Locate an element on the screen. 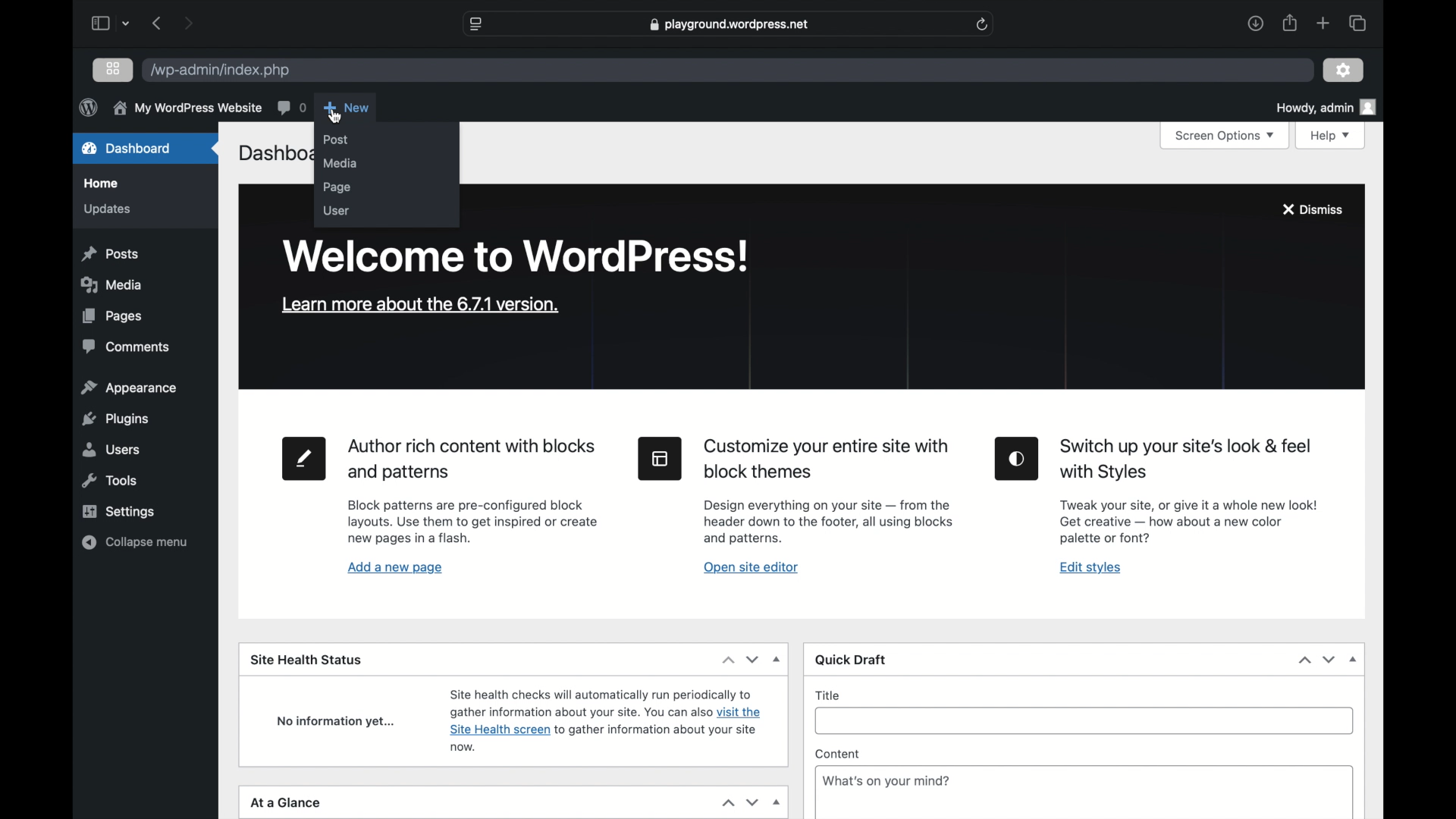  updates is located at coordinates (108, 210).